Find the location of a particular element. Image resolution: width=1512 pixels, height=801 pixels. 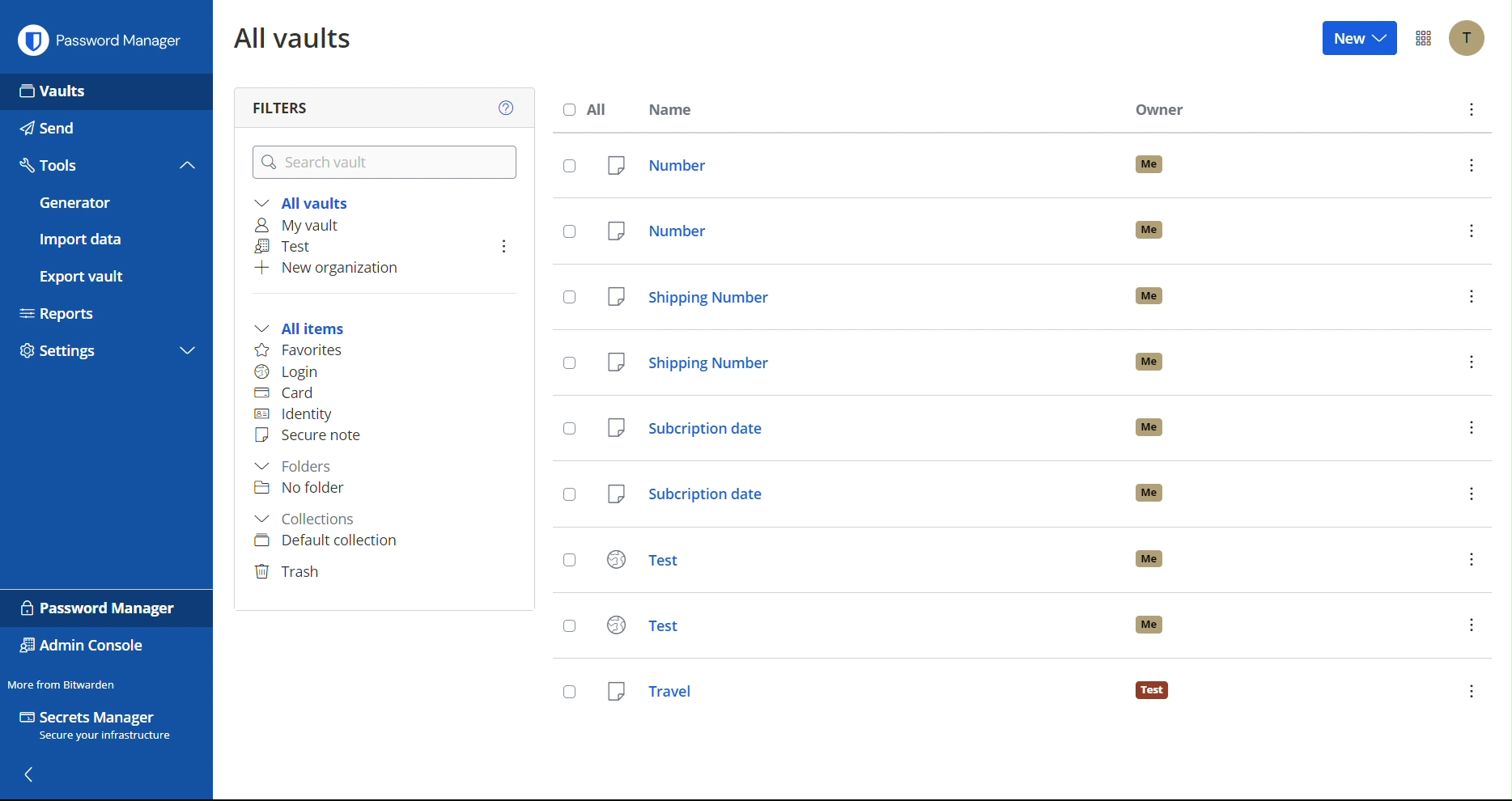

New organization is located at coordinates (329, 271).